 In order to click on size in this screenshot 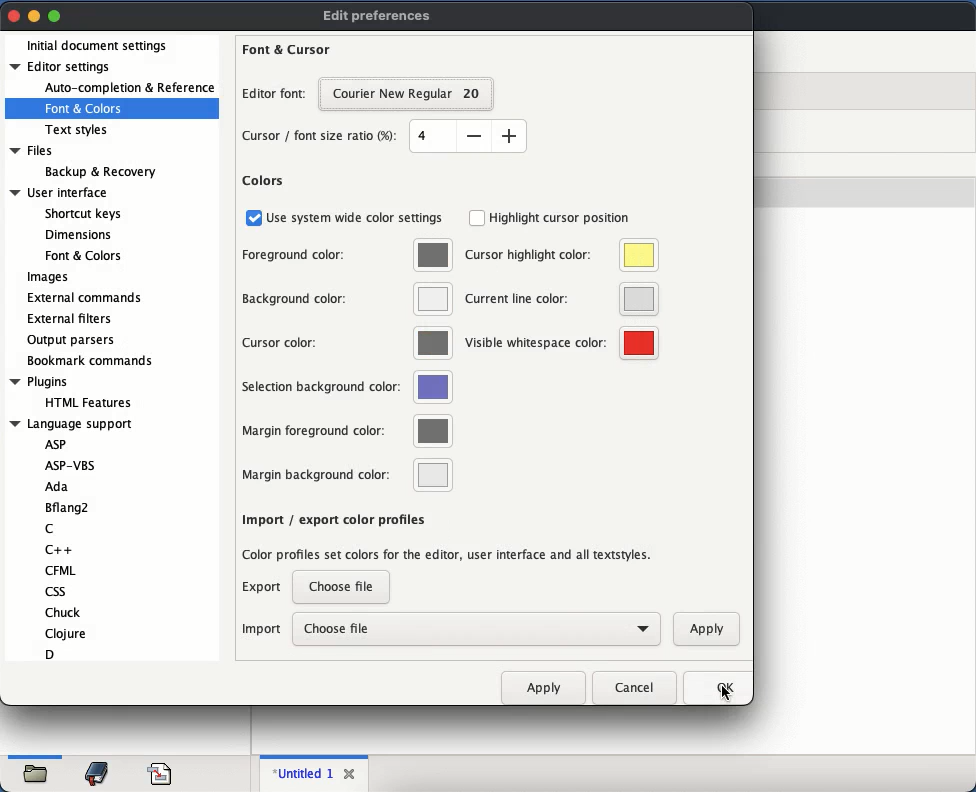, I will do `click(429, 136)`.